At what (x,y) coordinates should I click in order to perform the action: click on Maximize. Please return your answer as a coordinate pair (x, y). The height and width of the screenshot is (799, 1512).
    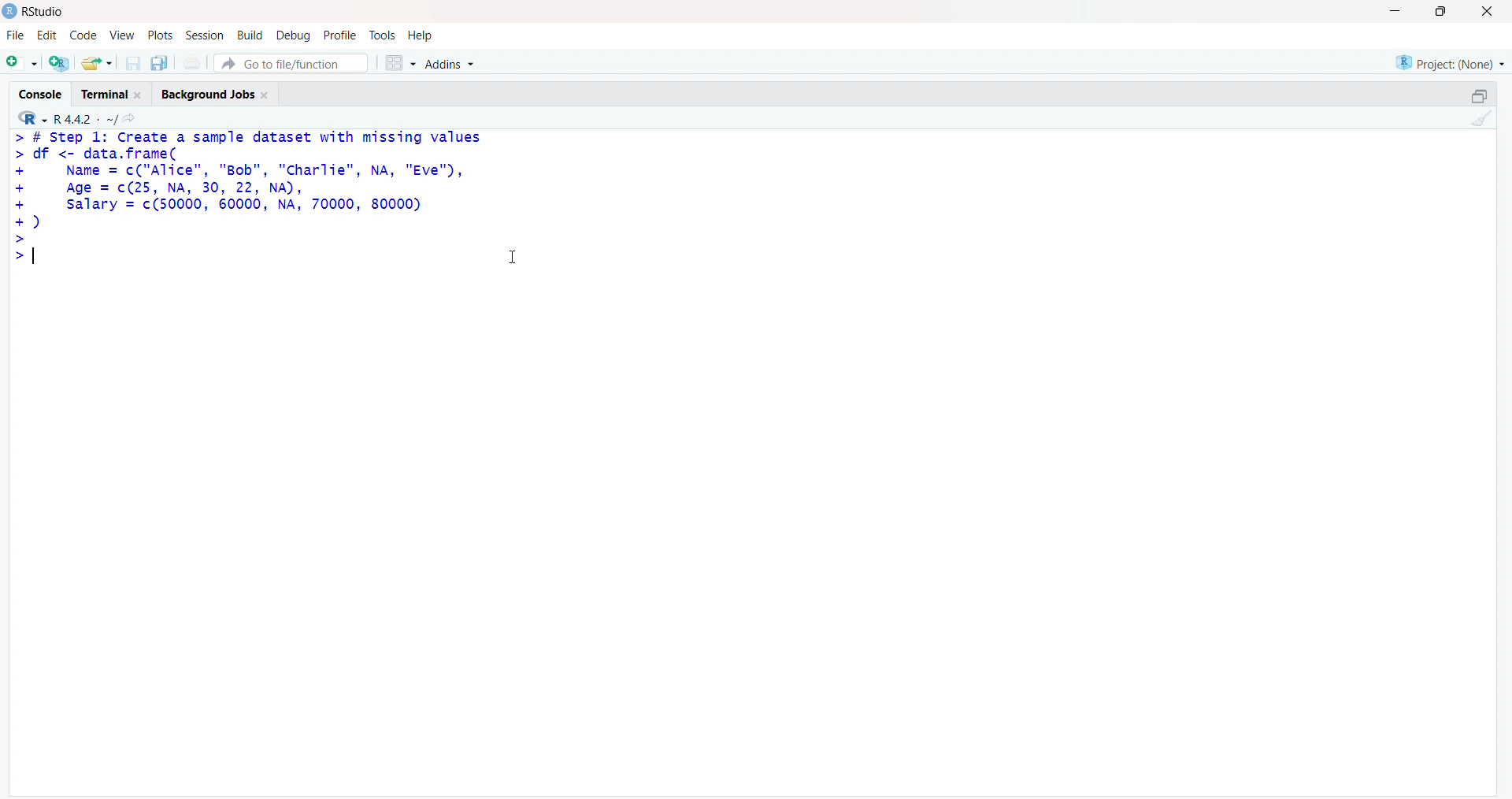
    Looking at the image, I should click on (1444, 12).